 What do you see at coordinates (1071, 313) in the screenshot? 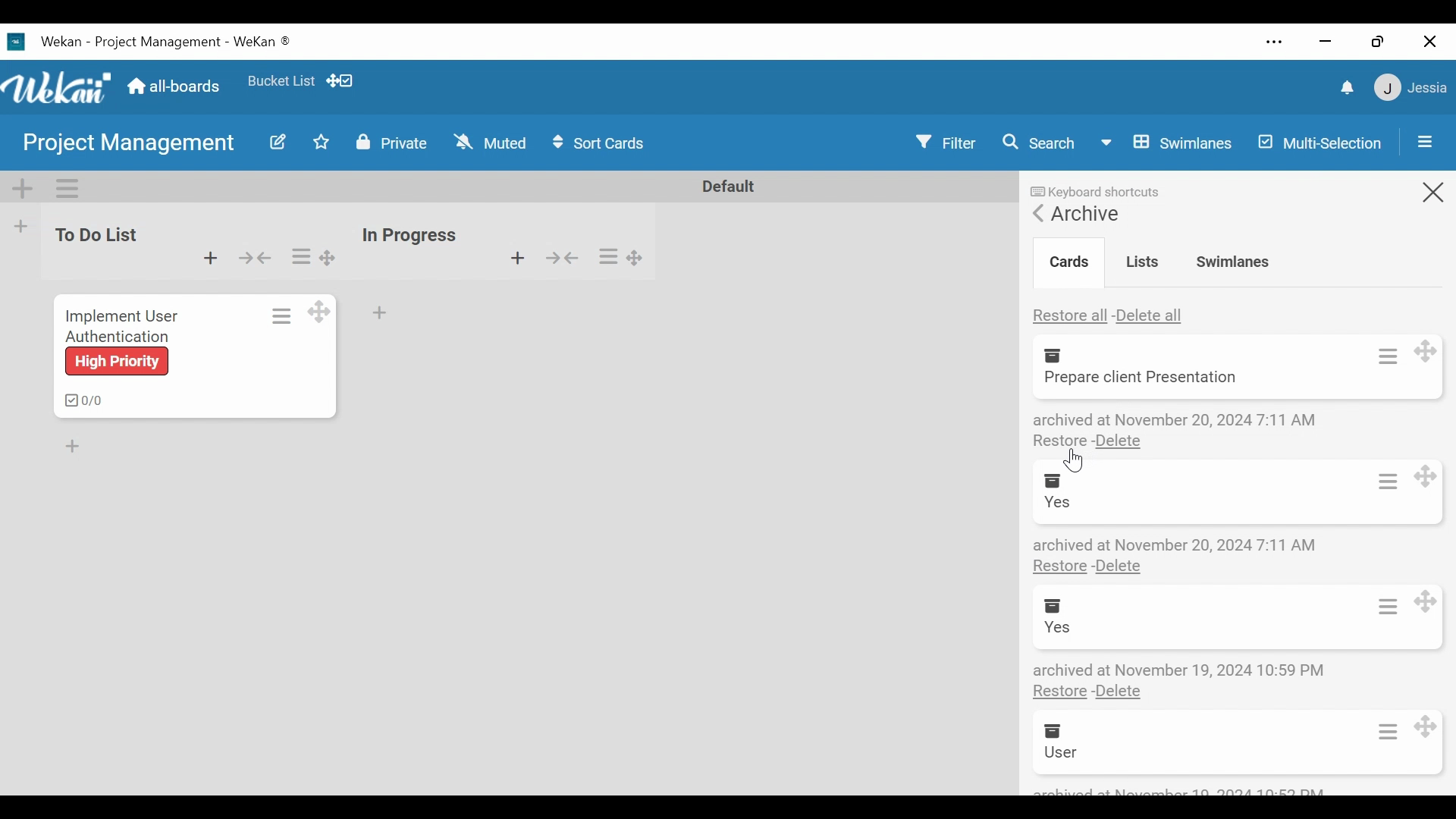
I see `Restore all` at bounding box center [1071, 313].